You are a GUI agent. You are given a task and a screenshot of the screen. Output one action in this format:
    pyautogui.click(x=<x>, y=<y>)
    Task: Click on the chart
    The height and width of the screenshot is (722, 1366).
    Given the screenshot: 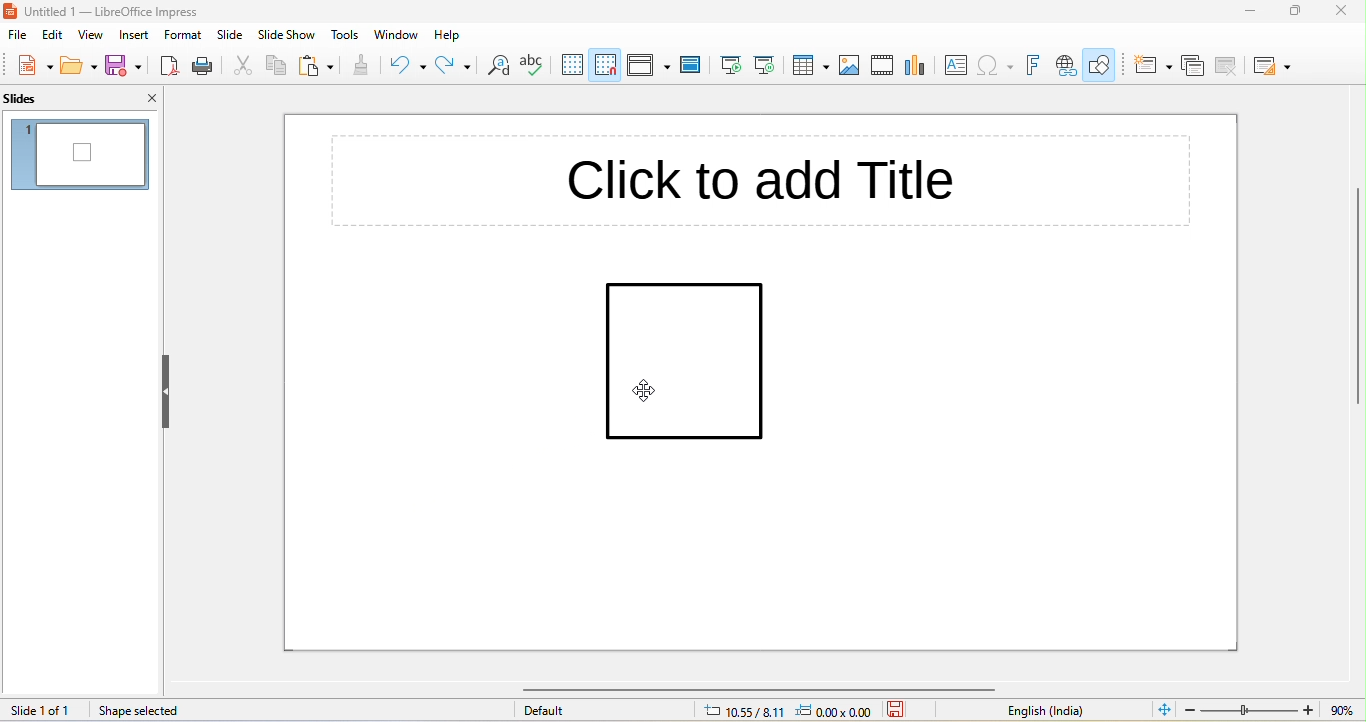 What is the action you would take?
    pyautogui.click(x=916, y=67)
    